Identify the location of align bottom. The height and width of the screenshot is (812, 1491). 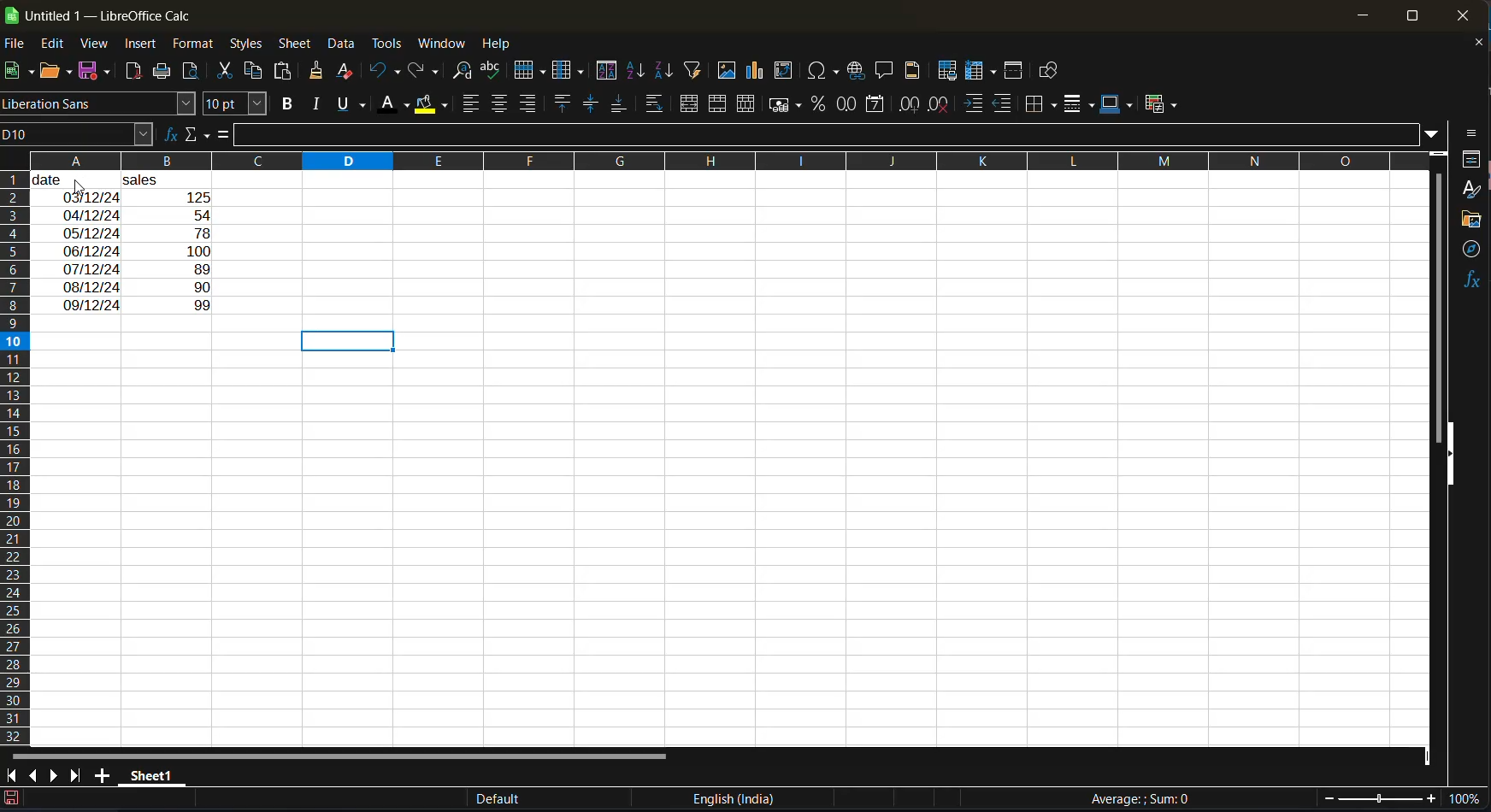
(619, 105).